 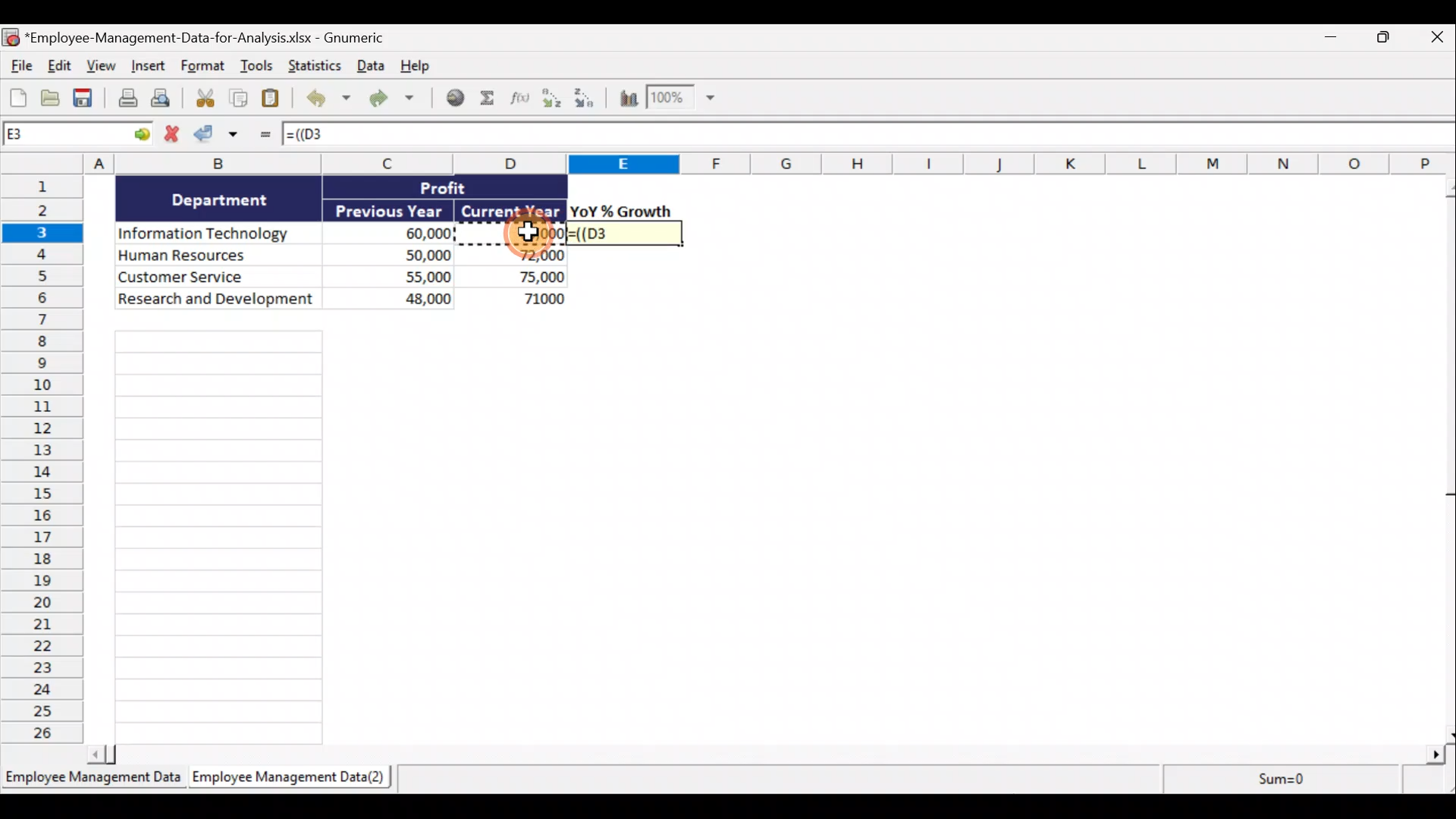 What do you see at coordinates (728, 164) in the screenshot?
I see `Columns` at bounding box center [728, 164].